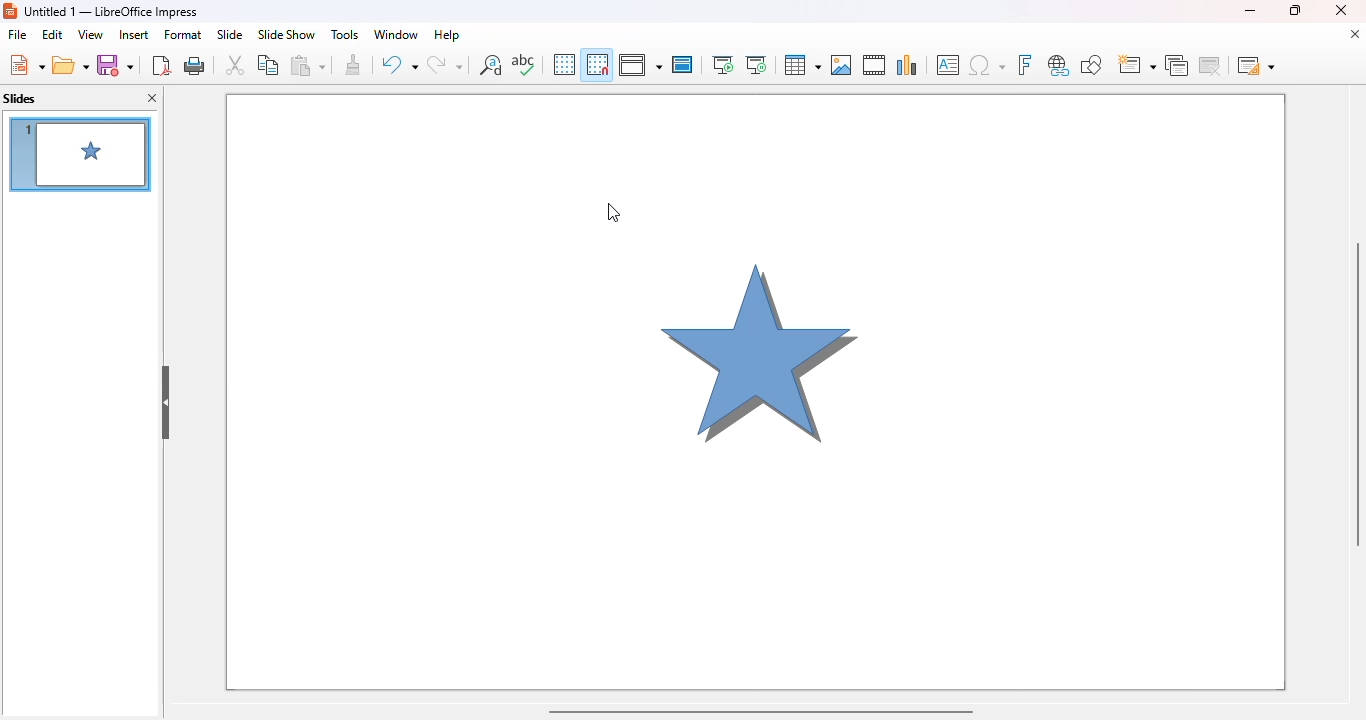  Describe the element at coordinates (1255, 65) in the screenshot. I see `slide layout` at that location.